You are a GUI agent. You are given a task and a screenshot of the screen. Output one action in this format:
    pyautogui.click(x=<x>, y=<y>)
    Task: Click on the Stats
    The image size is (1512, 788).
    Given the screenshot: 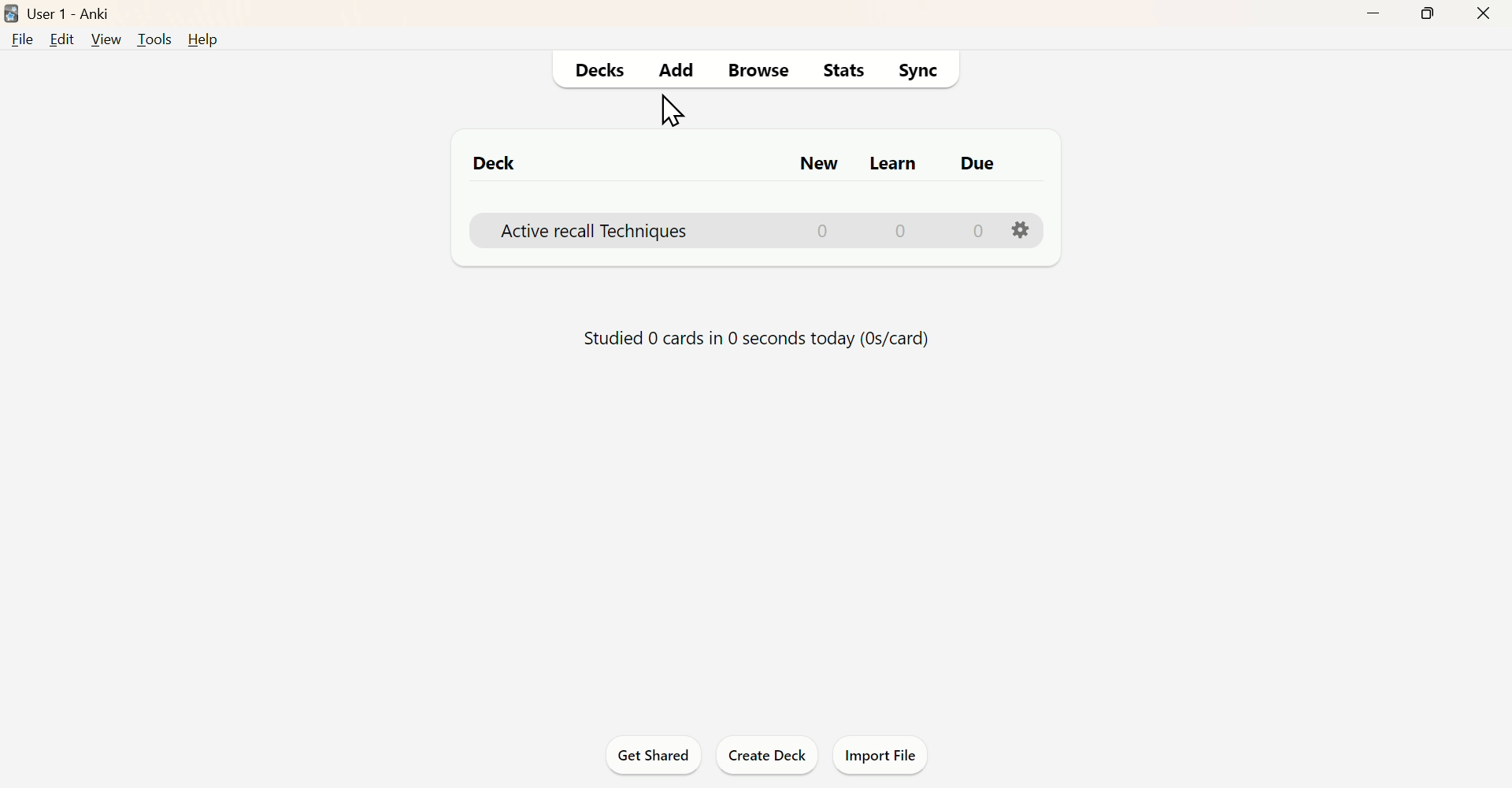 What is the action you would take?
    pyautogui.click(x=837, y=74)
    